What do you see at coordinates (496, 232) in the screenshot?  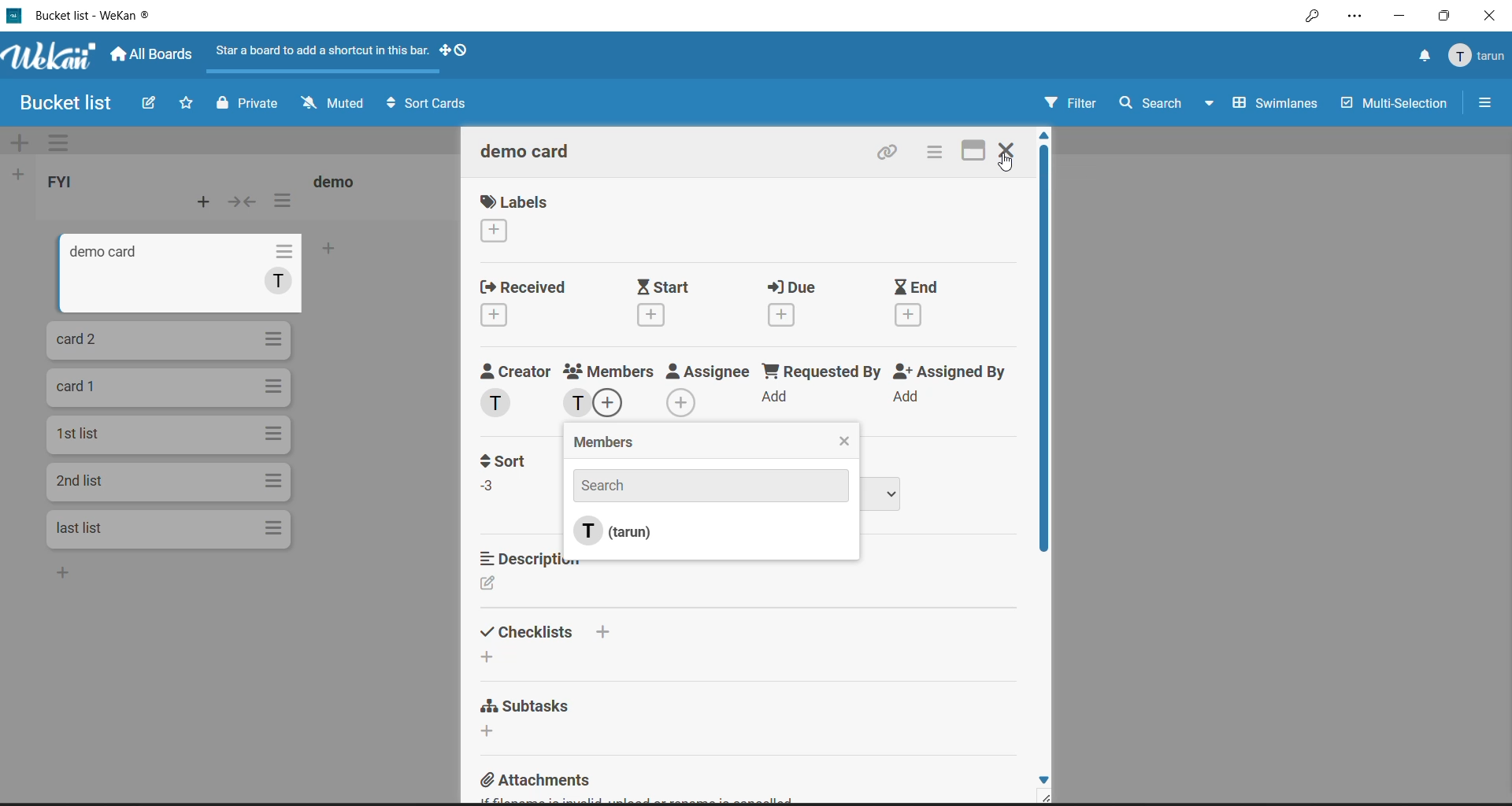 I see `change label` at bounding box center [496, 232].